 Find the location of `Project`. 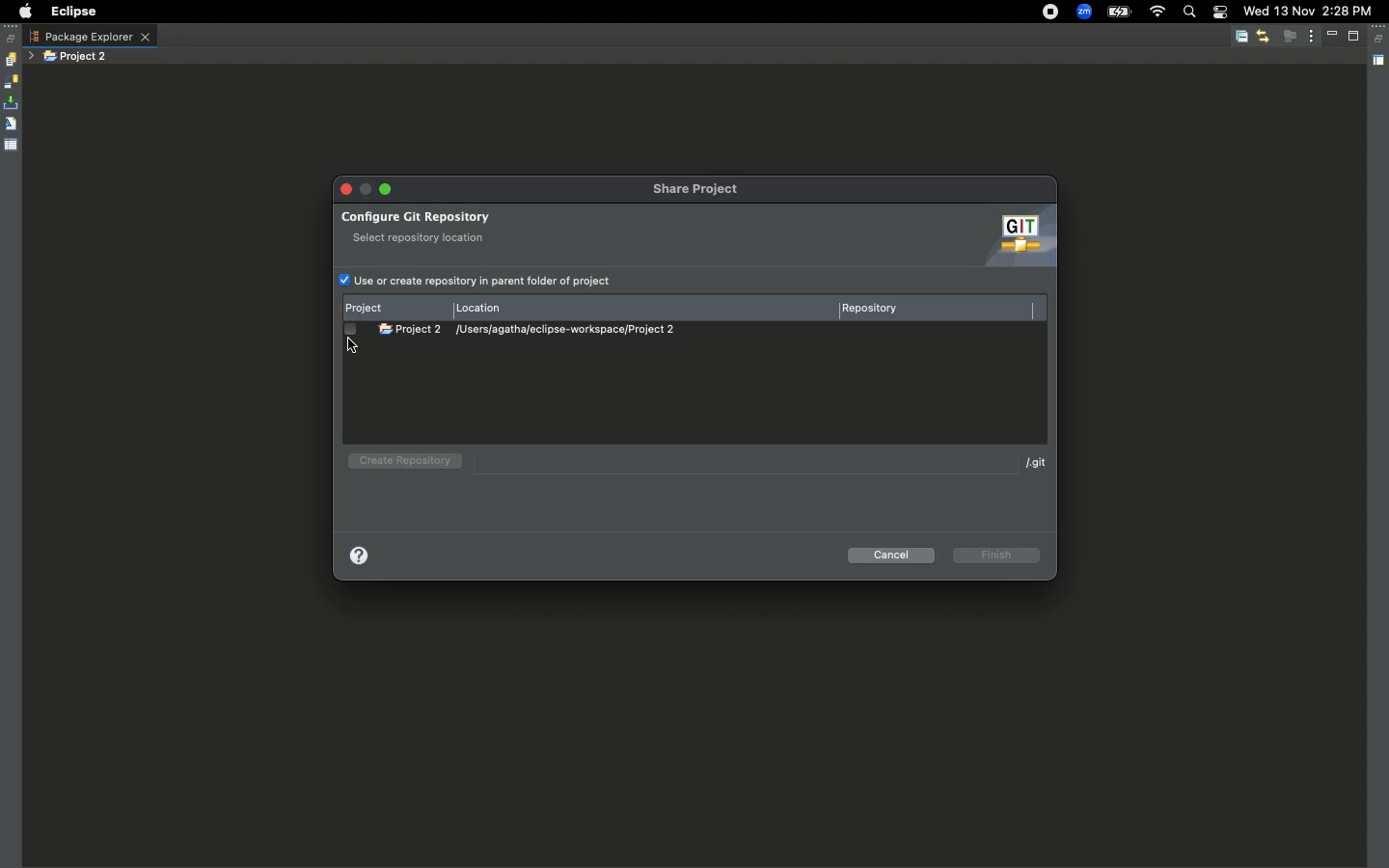

Project is located at coordinates (375, 306).